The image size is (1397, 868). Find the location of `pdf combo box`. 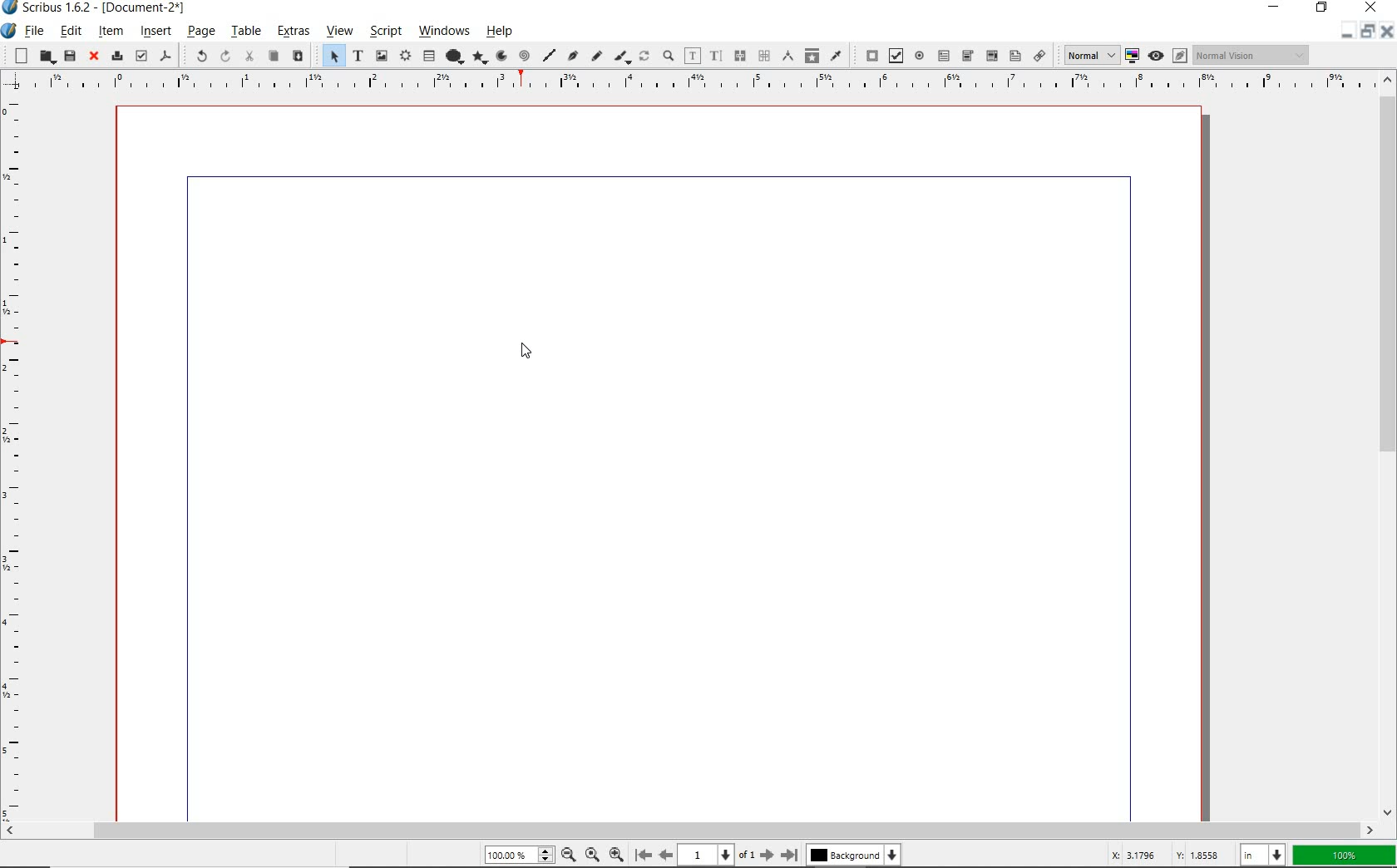

pdf combo box is located at coordinates (967, 56).